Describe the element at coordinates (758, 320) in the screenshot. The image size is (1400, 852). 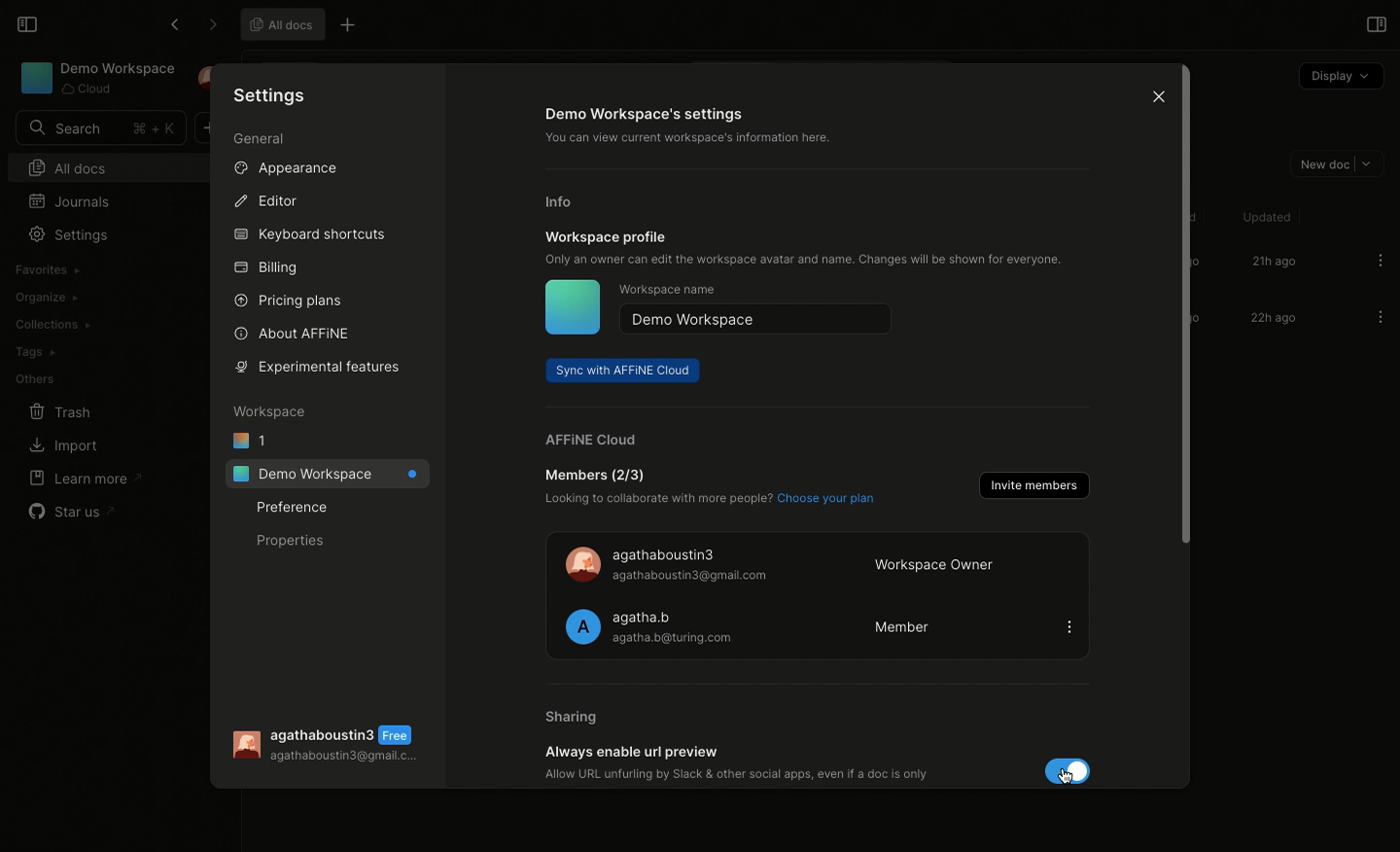
I see `Demo workspace` at that location.